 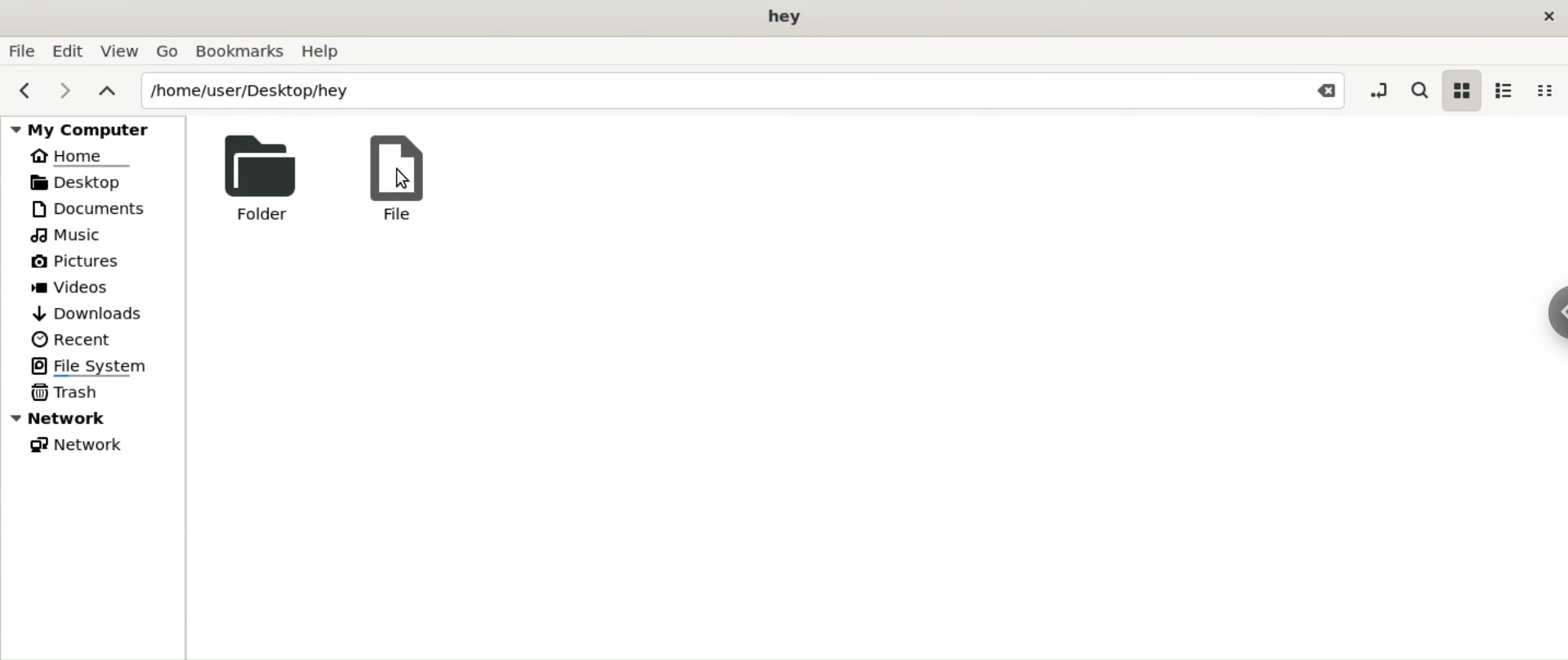 I want to click on parent folders, so click(x=104, y=93).